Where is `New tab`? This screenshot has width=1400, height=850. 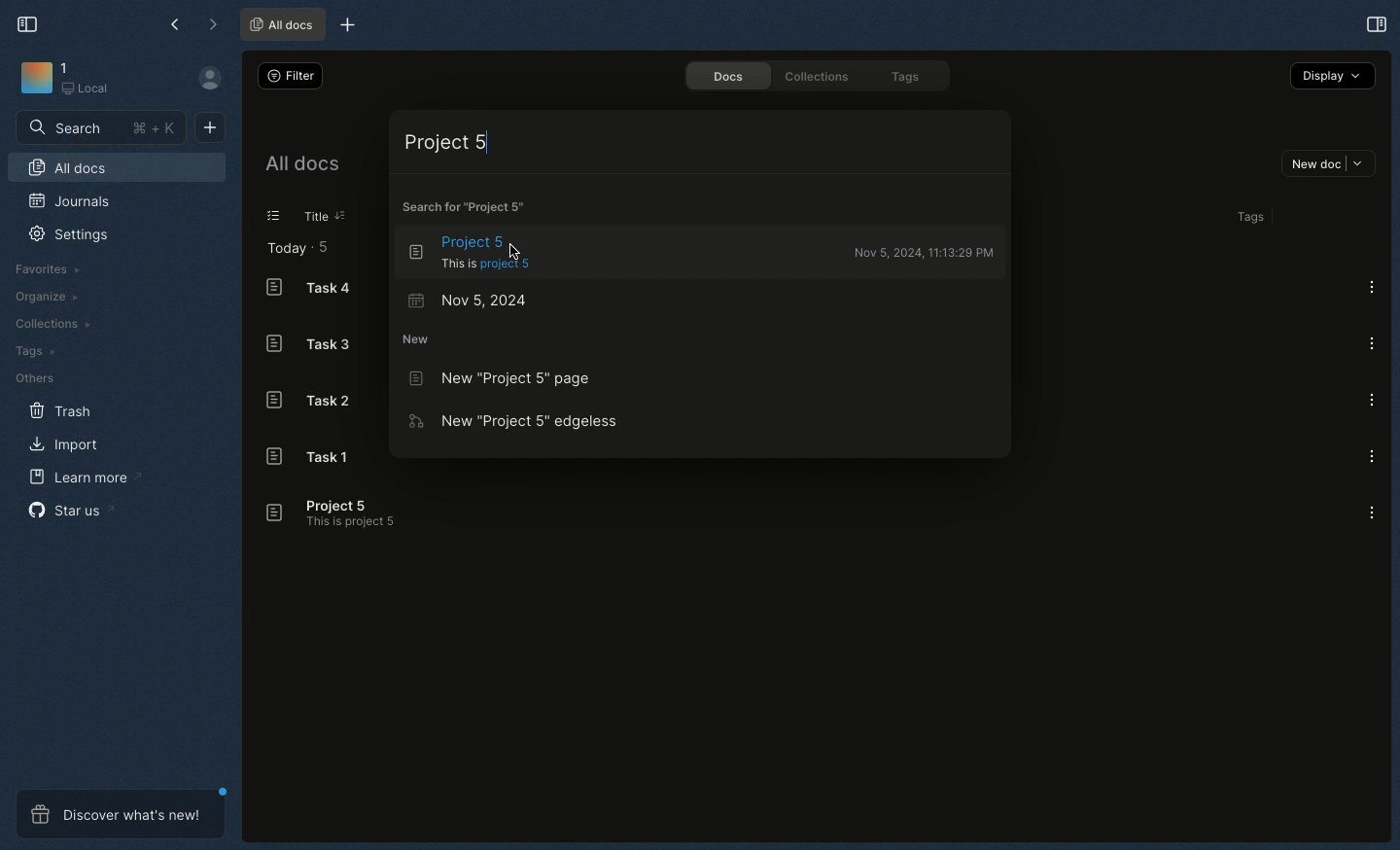
New tab is located at coordinates (347, 25).